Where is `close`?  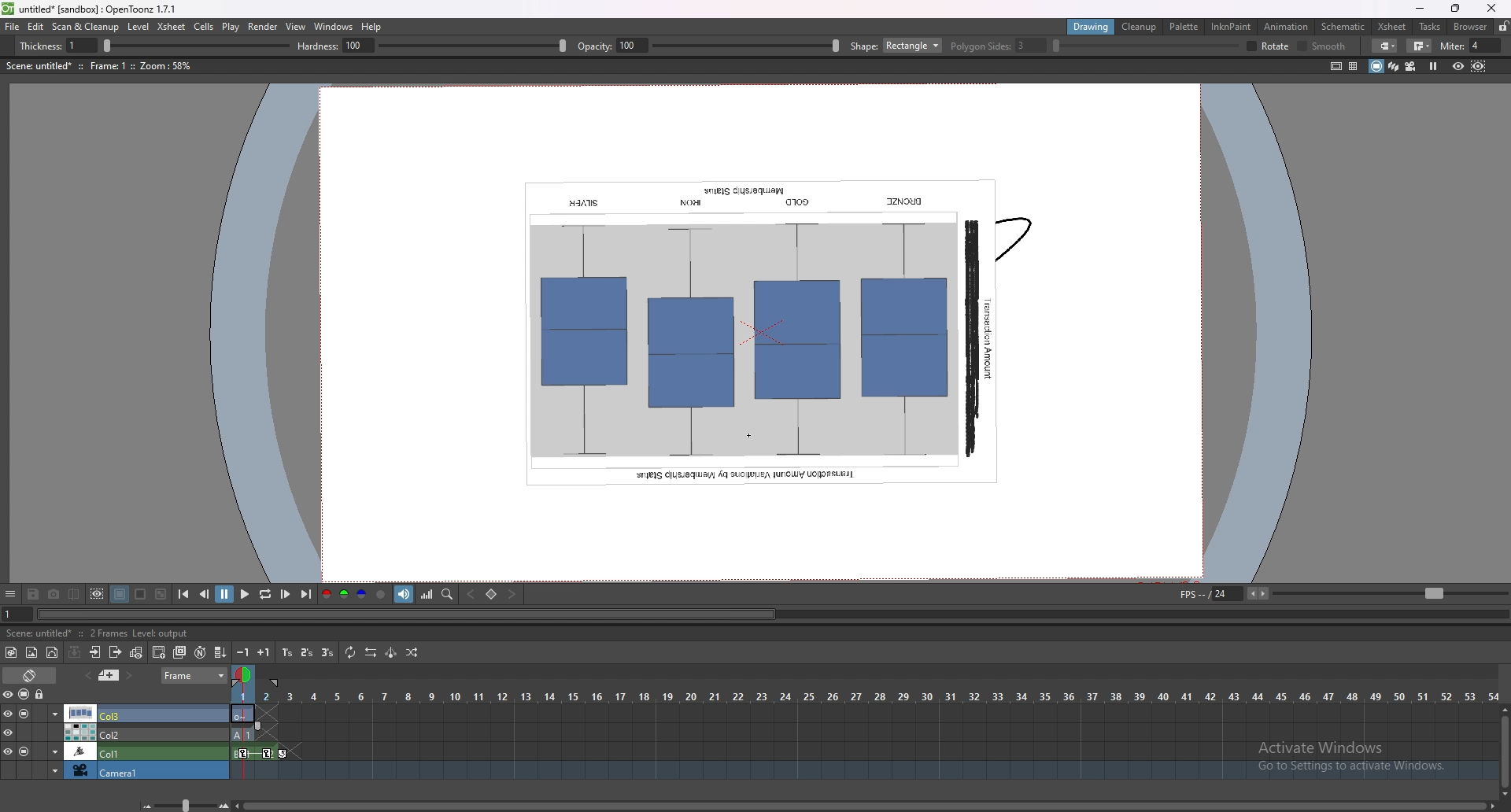 close is located at coordinates (1489, 8).